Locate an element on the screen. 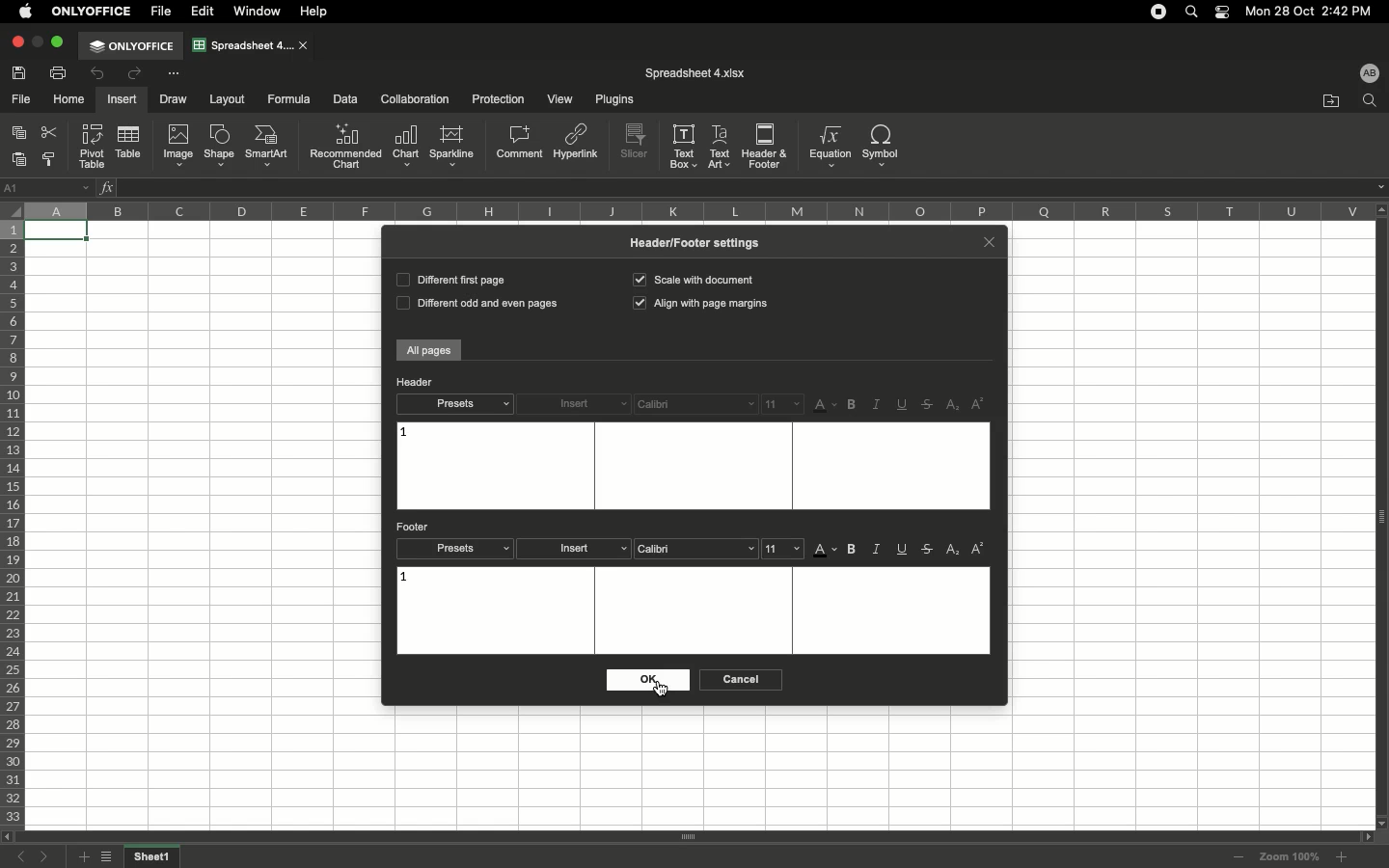 This screenshot has width=1389, height=868. Undo is located at coordinates (99, 75).